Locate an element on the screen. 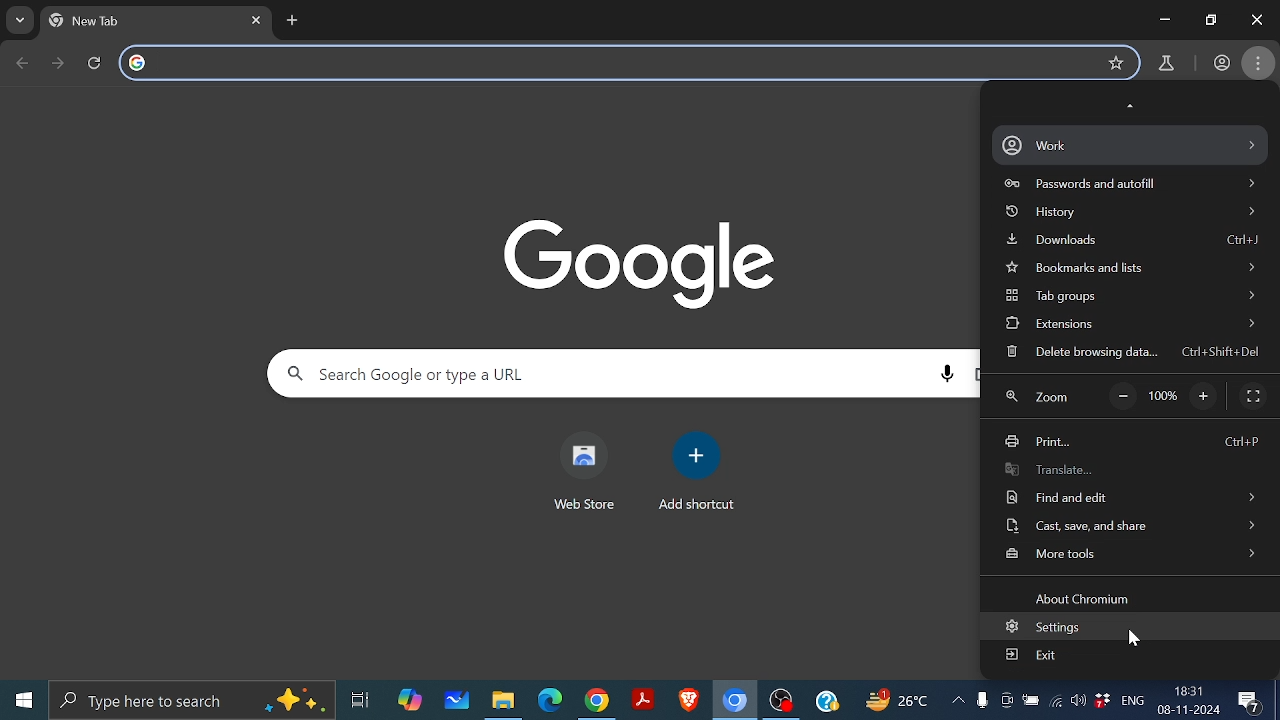  show hidden icons is located at coordinates (958, 704).